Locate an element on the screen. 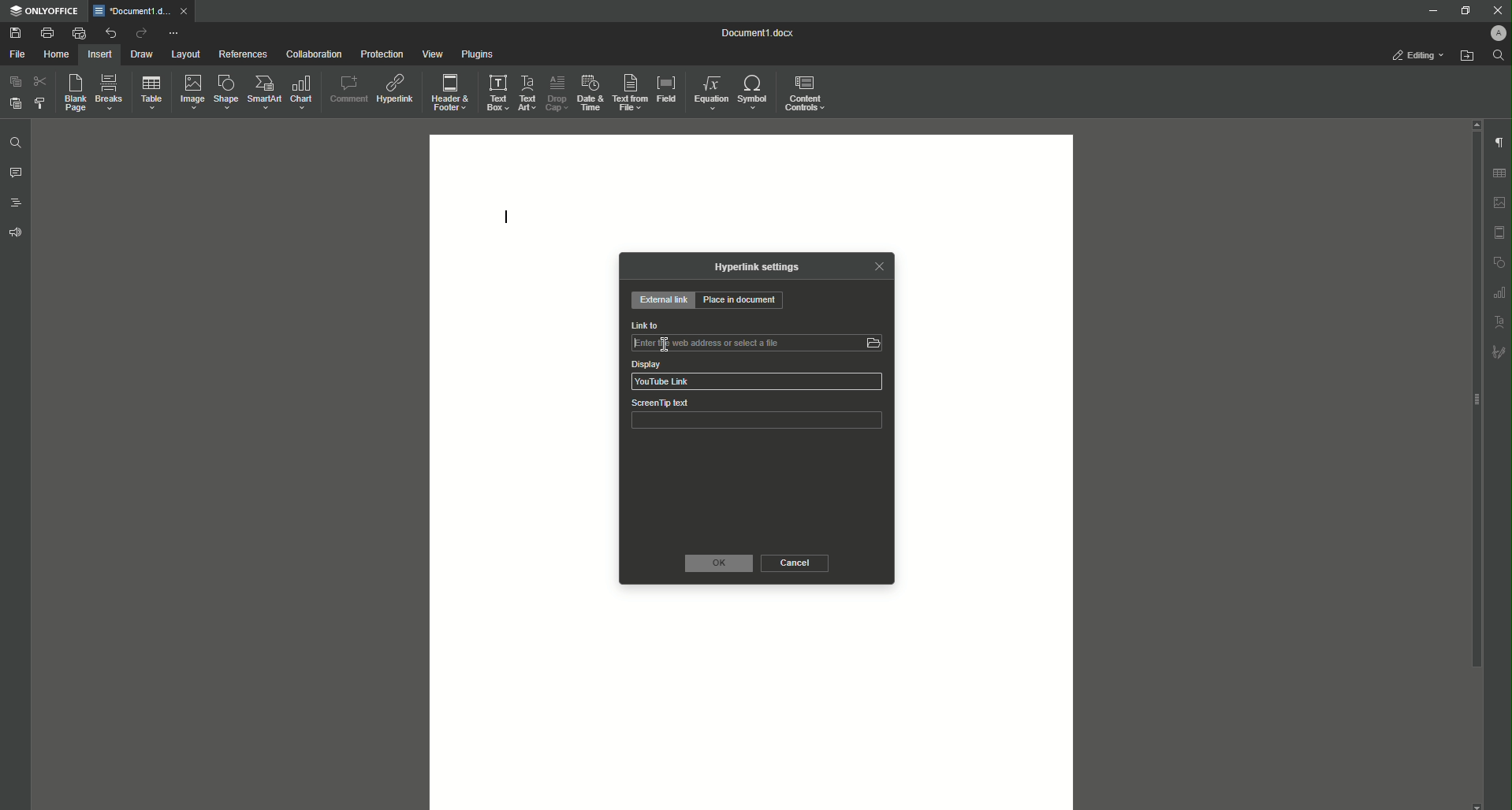 Image resolution: width=1512 pixels, height=810 pixels. Editing is located at coordinates (1413, 54).